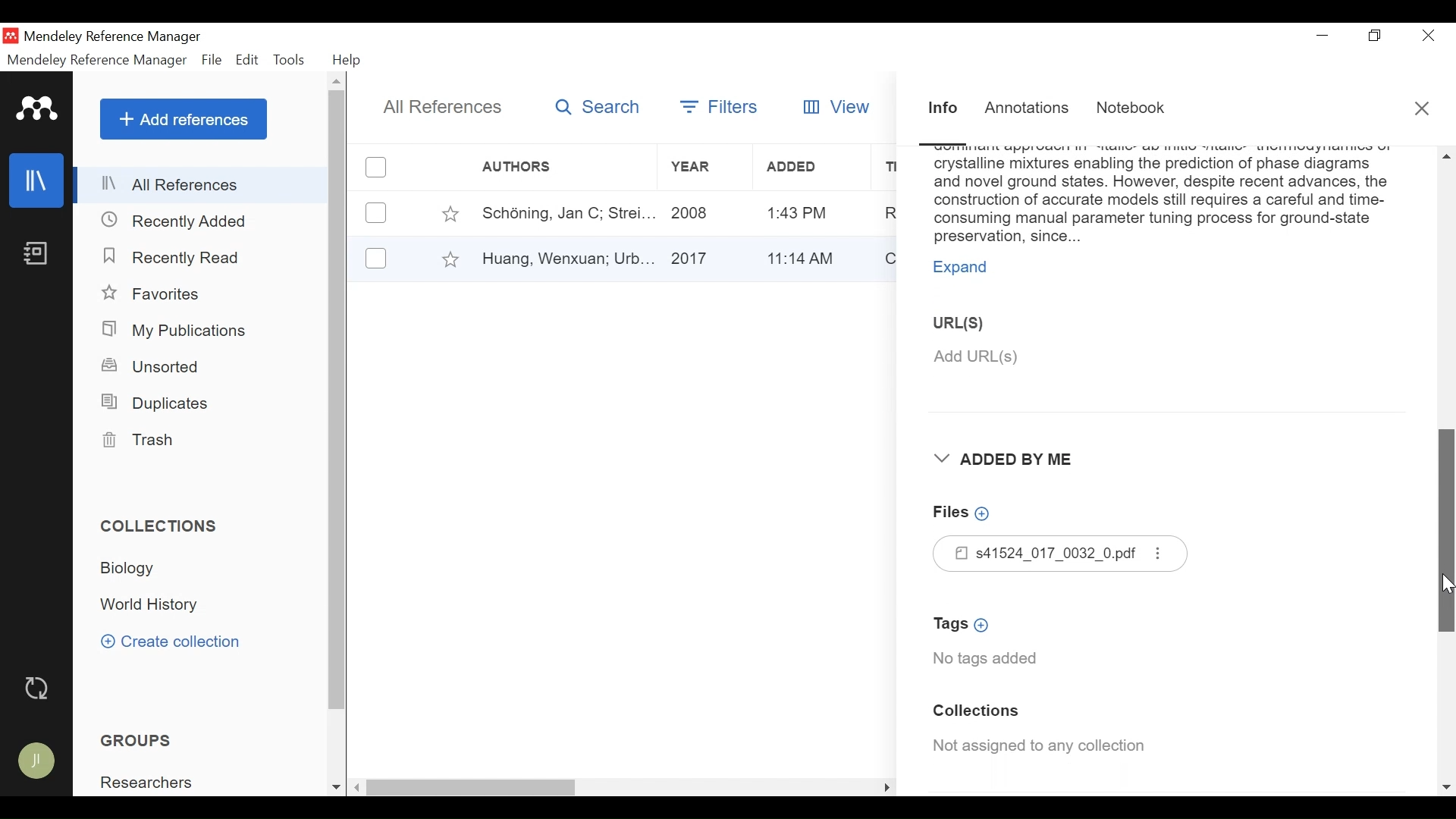 This screenshot has height=819, width=1456. Describe the element at coordinates (1057, 661) in the screenshot. I see `No tags added` at that location.